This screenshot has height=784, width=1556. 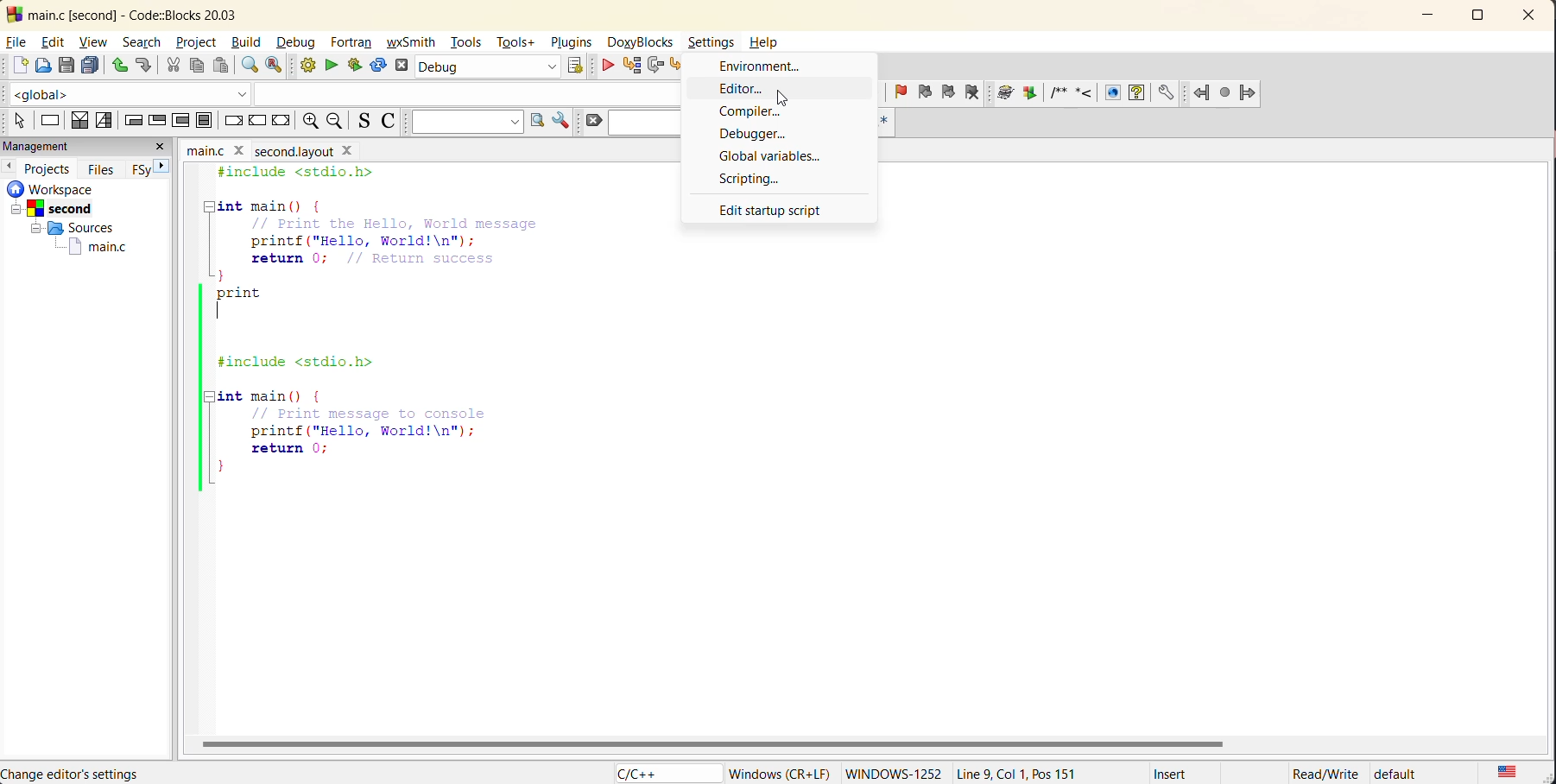 I want to click on tools, so click(x=468, y=44).